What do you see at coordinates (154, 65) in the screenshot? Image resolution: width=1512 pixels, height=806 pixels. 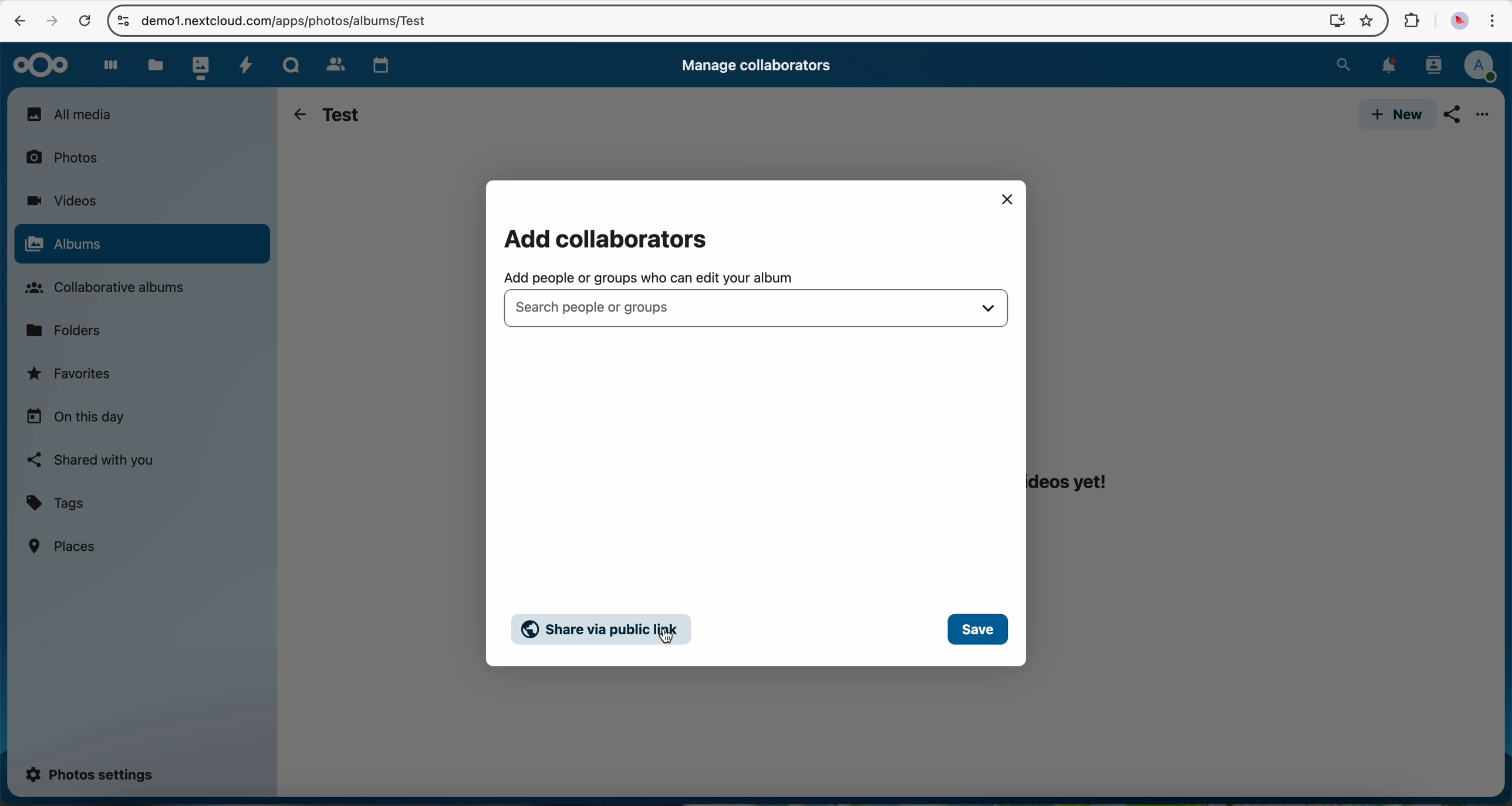 I see `files` at bounding box center [154, 65].